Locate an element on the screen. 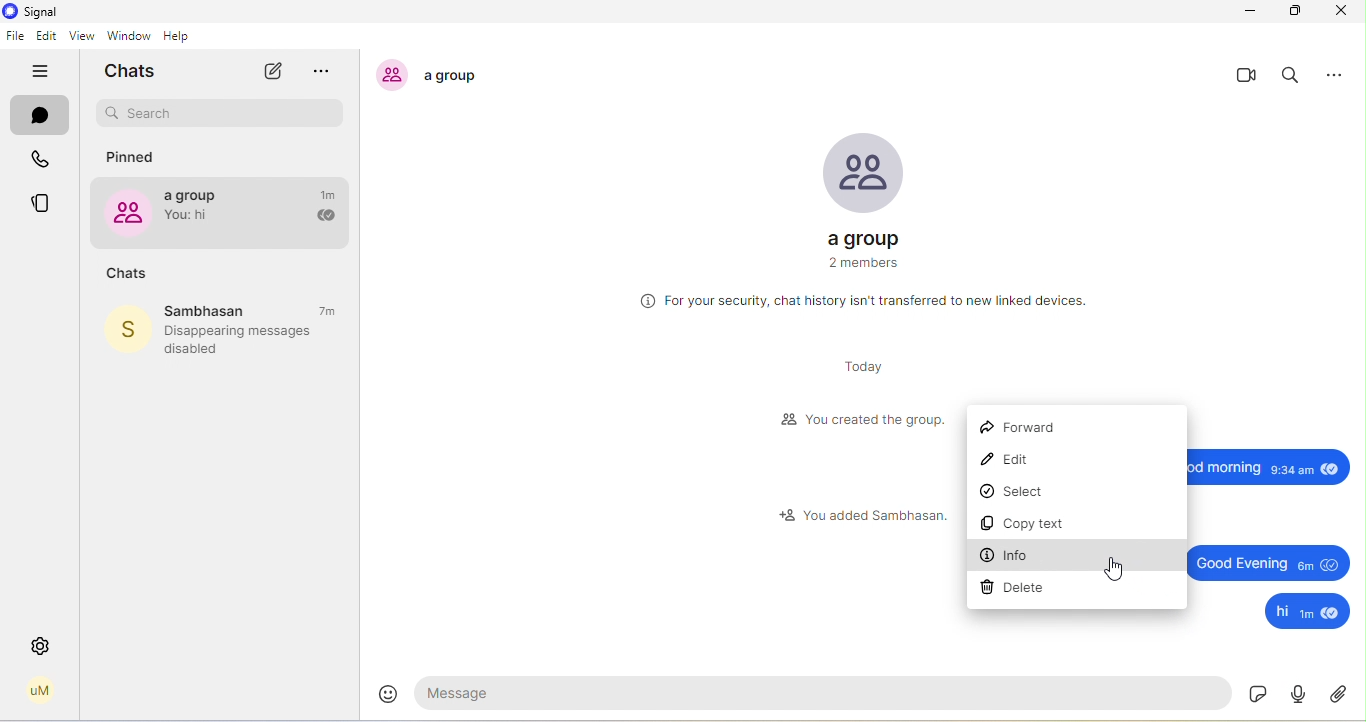  a group  is located at coordinates (862, 190).